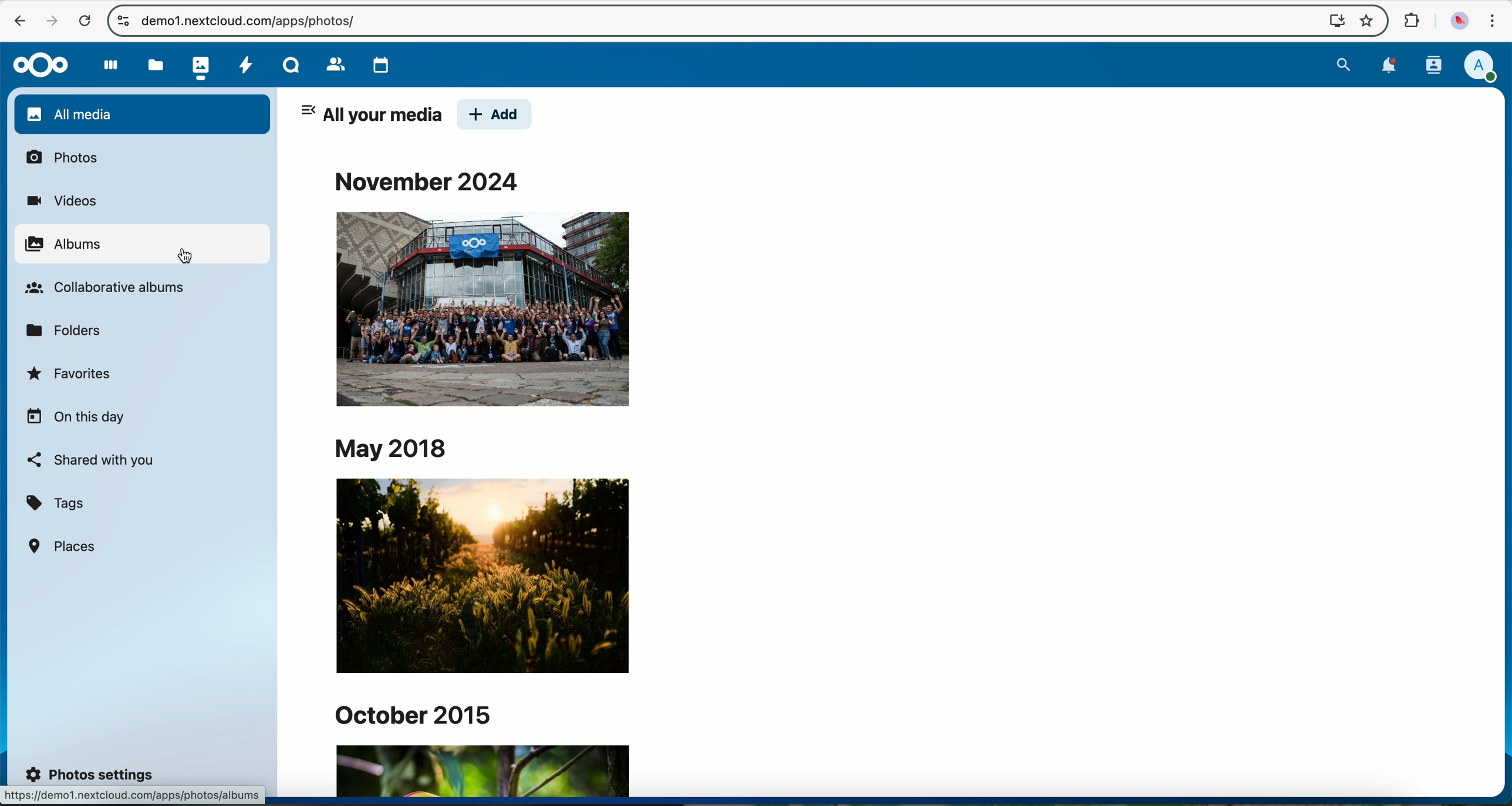 This screenshot has height=806, width=1512. Describe the element at coordinates (56, 504) in the screenshot. I see `tags` at that location.